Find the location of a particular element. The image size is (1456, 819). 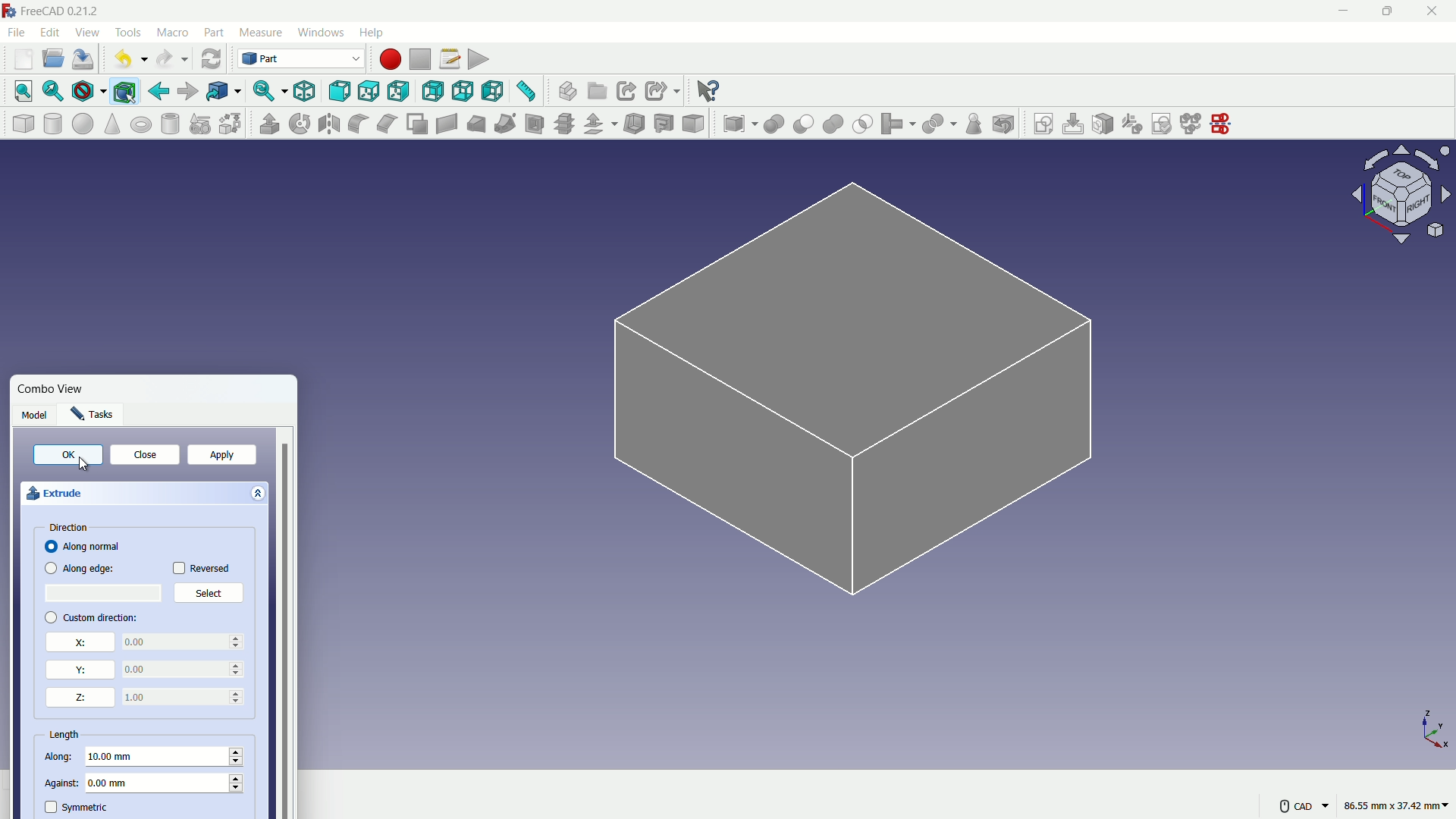

cylinder is located at coordinates (53, 124).